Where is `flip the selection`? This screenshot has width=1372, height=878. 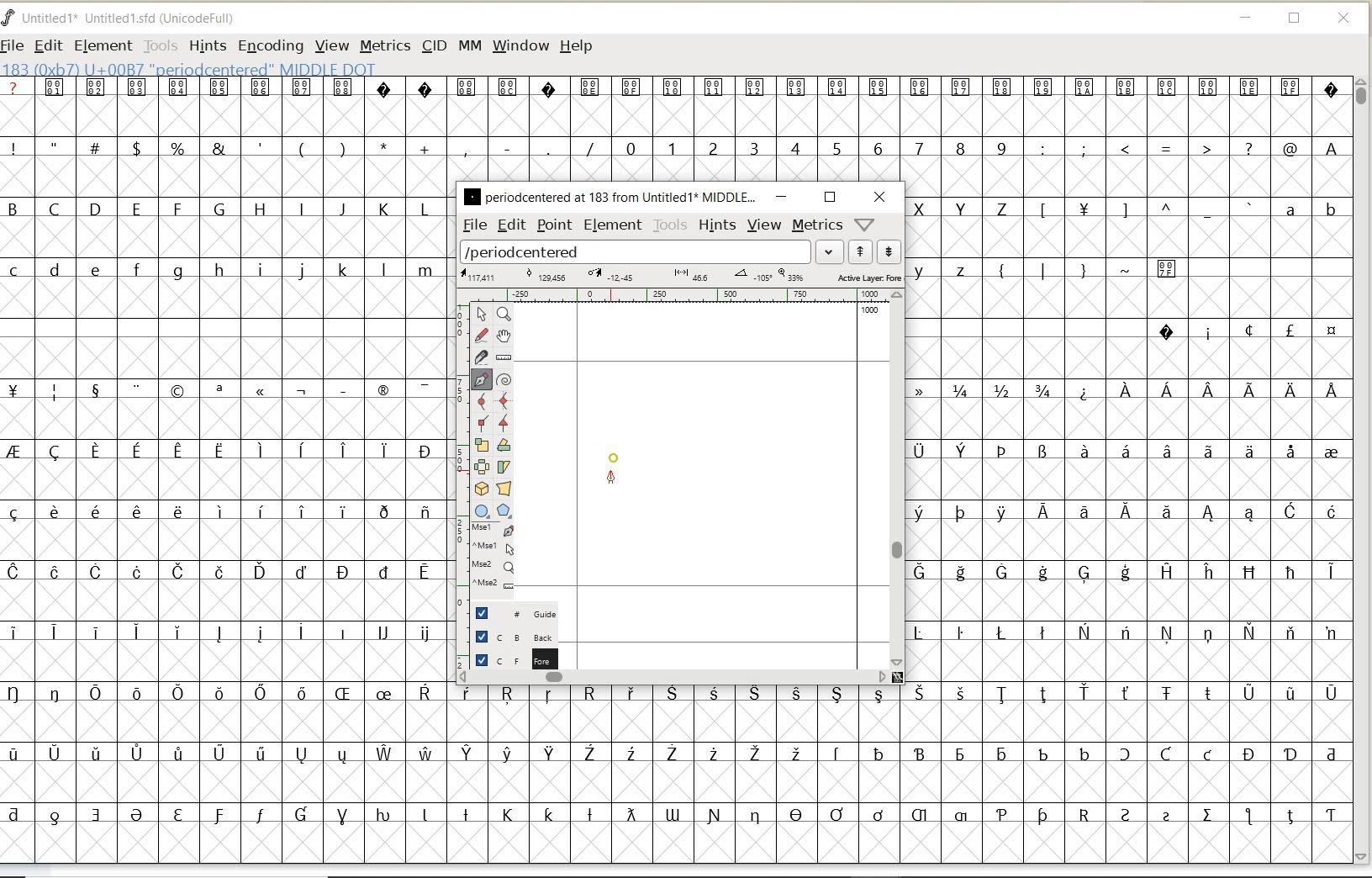 flip the selection is located at coordinates (483, 467).